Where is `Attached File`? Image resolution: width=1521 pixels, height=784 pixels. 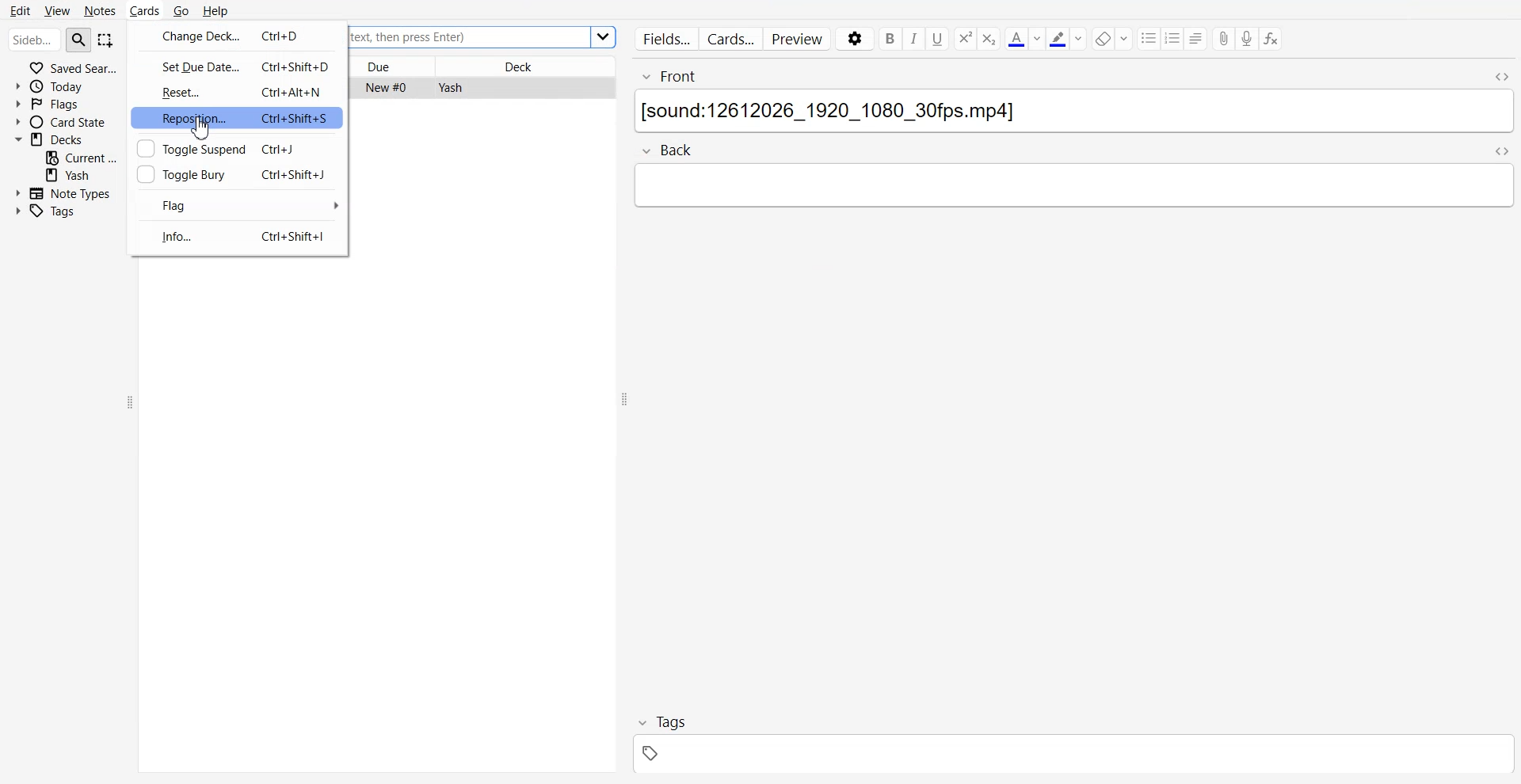 Attached File is located at coordinates (1224, 40).